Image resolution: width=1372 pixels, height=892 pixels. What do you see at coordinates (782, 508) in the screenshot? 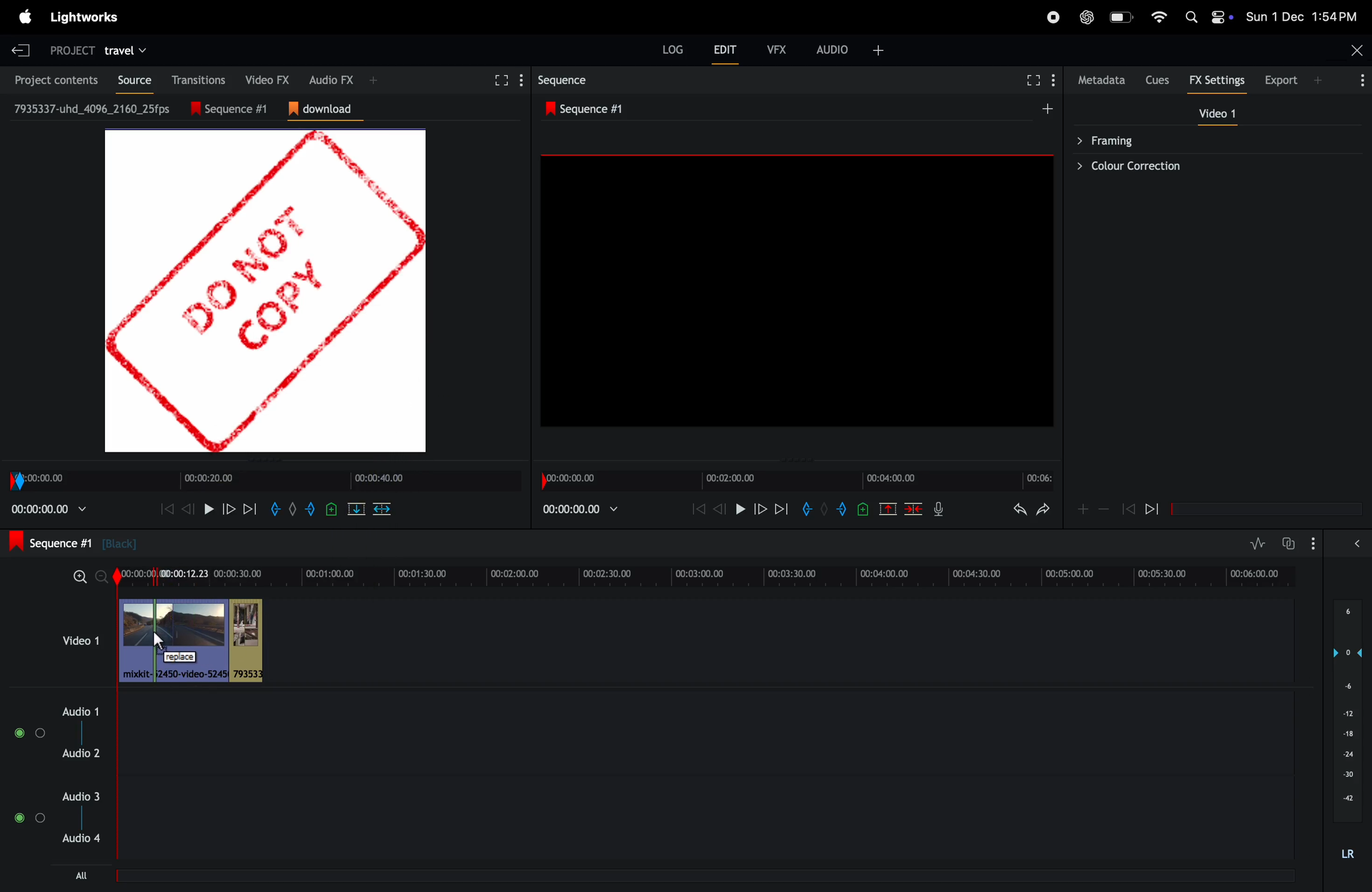
I see `next frame` at bounding box center [782, 508].